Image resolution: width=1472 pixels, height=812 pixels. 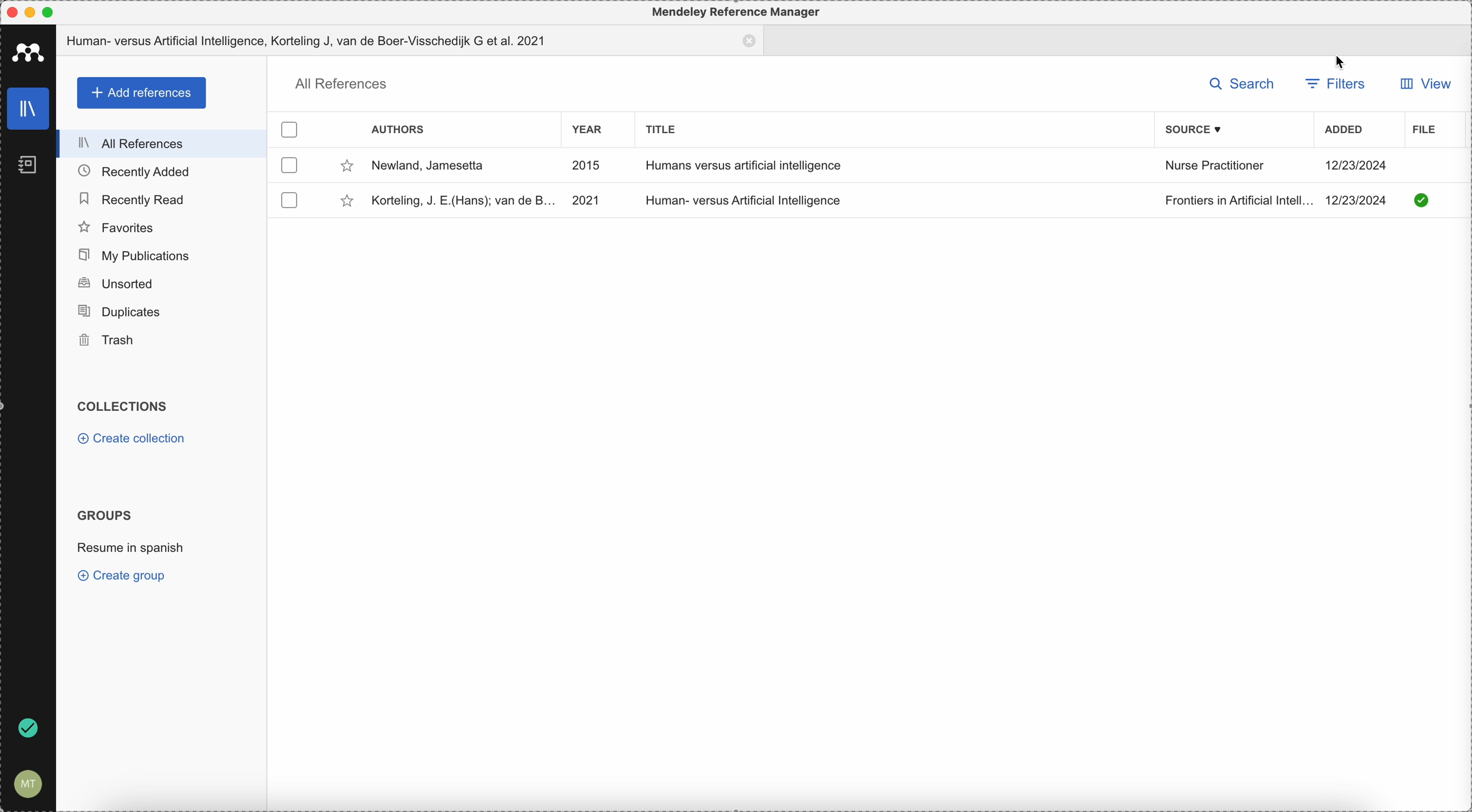 I want to click on unsorted, so click(x=161, y=285).